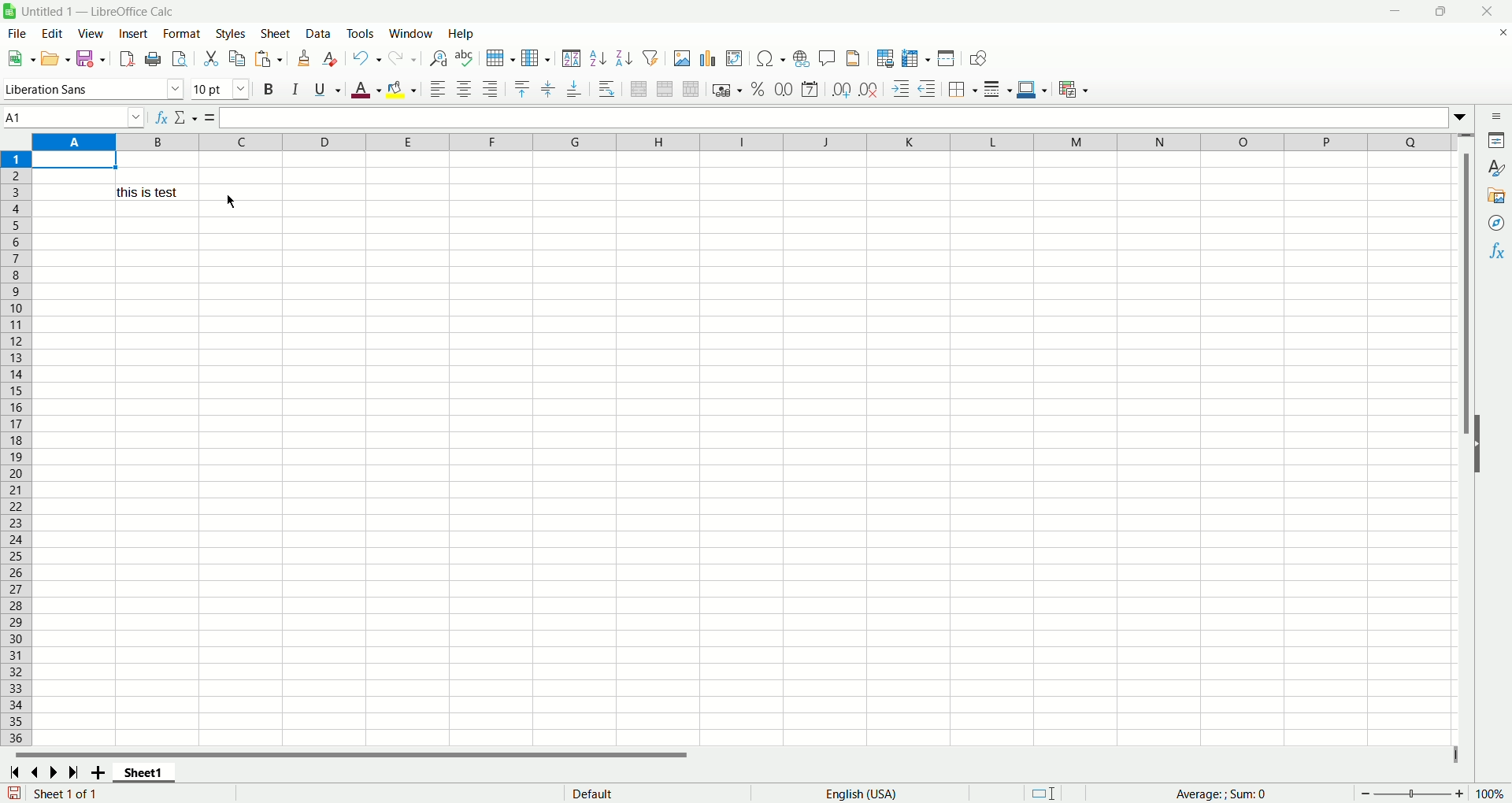 The height and width of the screenshot is (803, 1512). What do you see at coordinates (866, 793) in the screenshot?
I see `English(USA)` at bounding box center [866, 793].